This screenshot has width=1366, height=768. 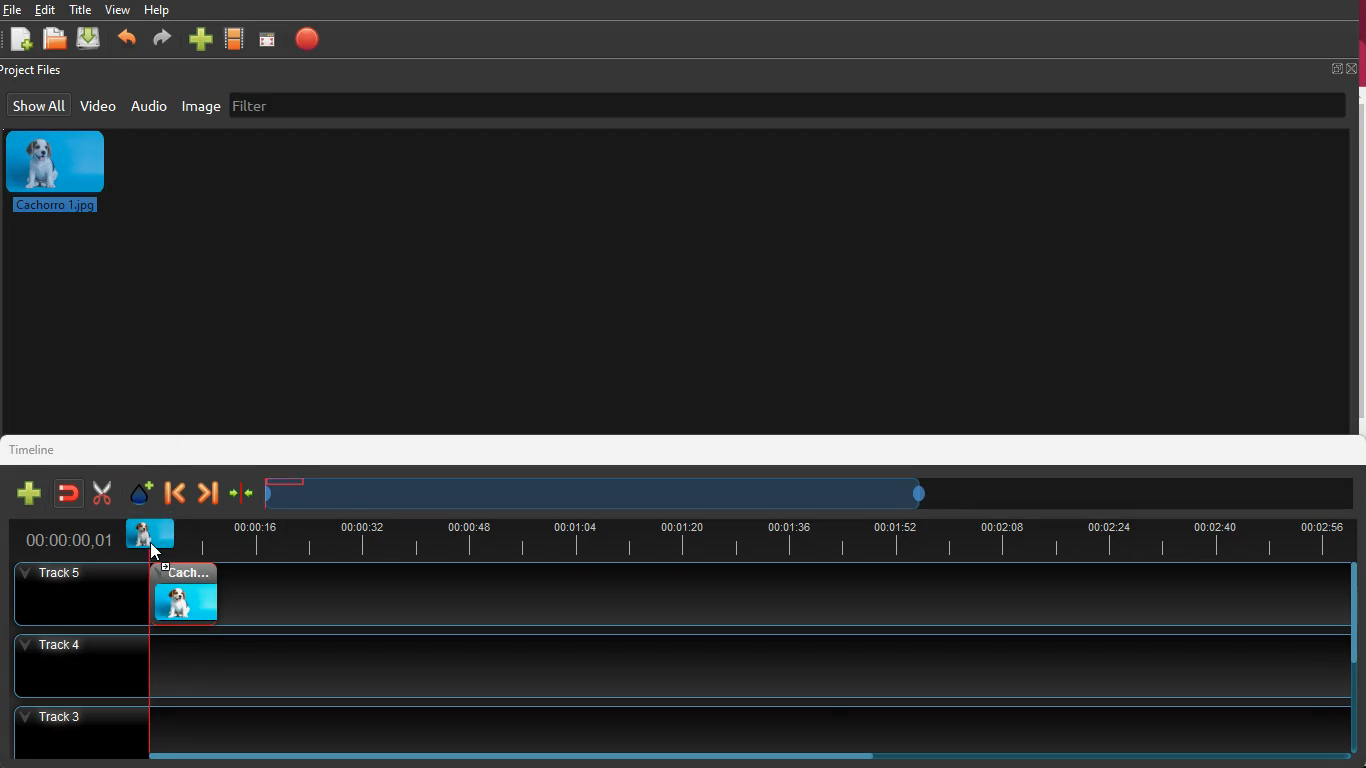 I want to click on track, so click(x=668, y=722).